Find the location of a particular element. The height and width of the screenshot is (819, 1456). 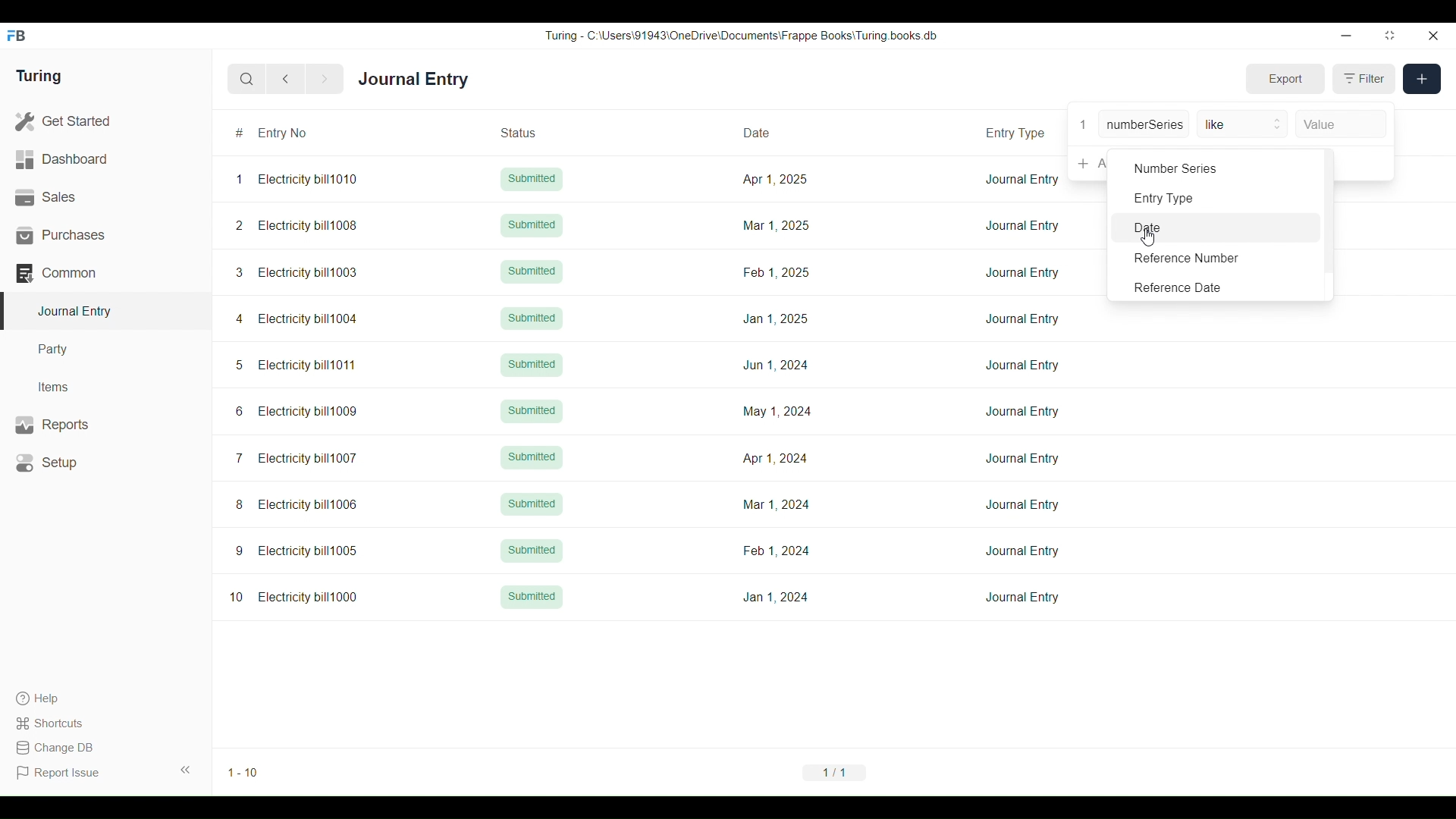

New entry is located at coordinates (1422, 79).